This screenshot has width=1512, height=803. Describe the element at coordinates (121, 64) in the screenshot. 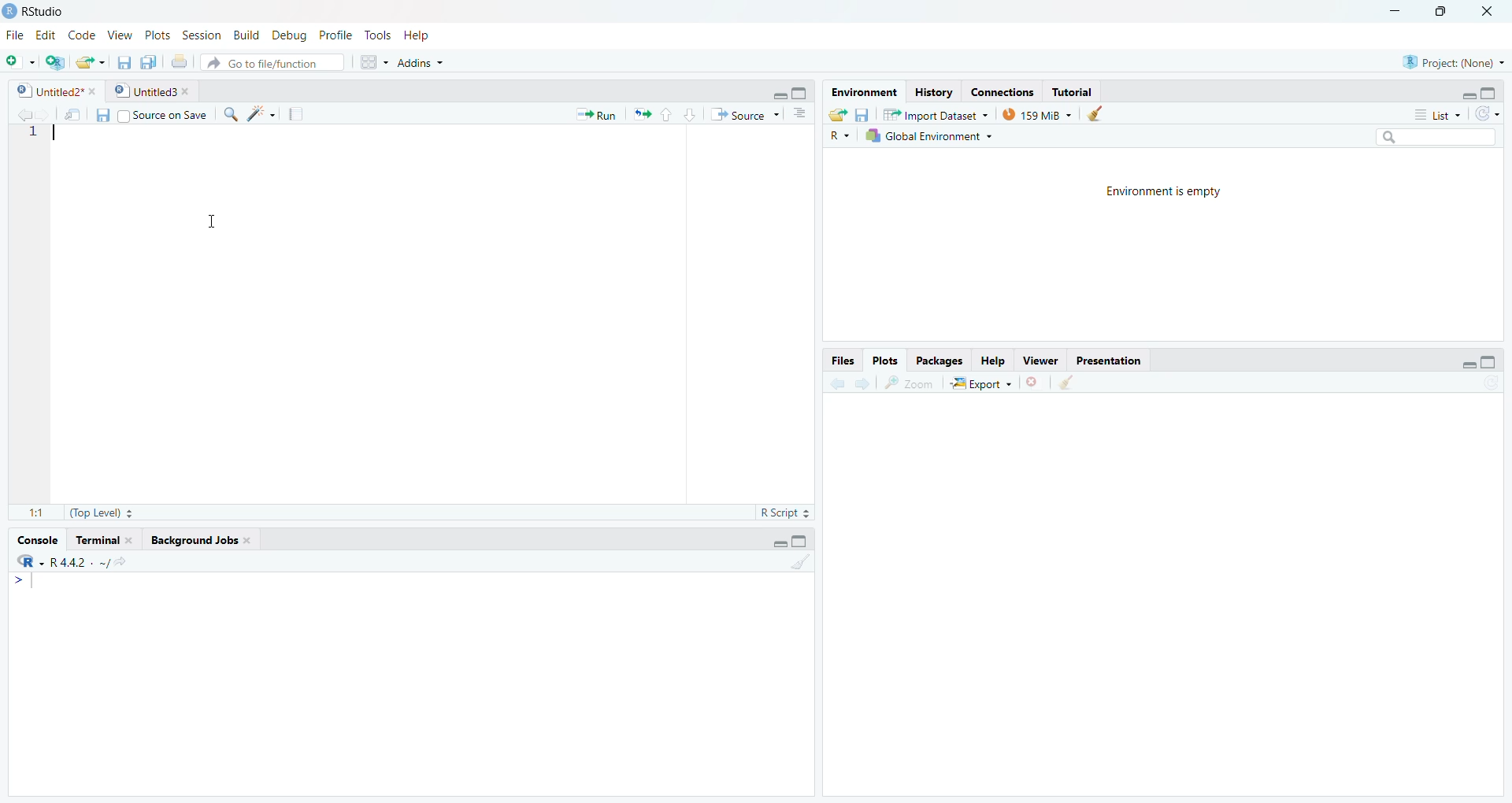

I see `Save` at that location.